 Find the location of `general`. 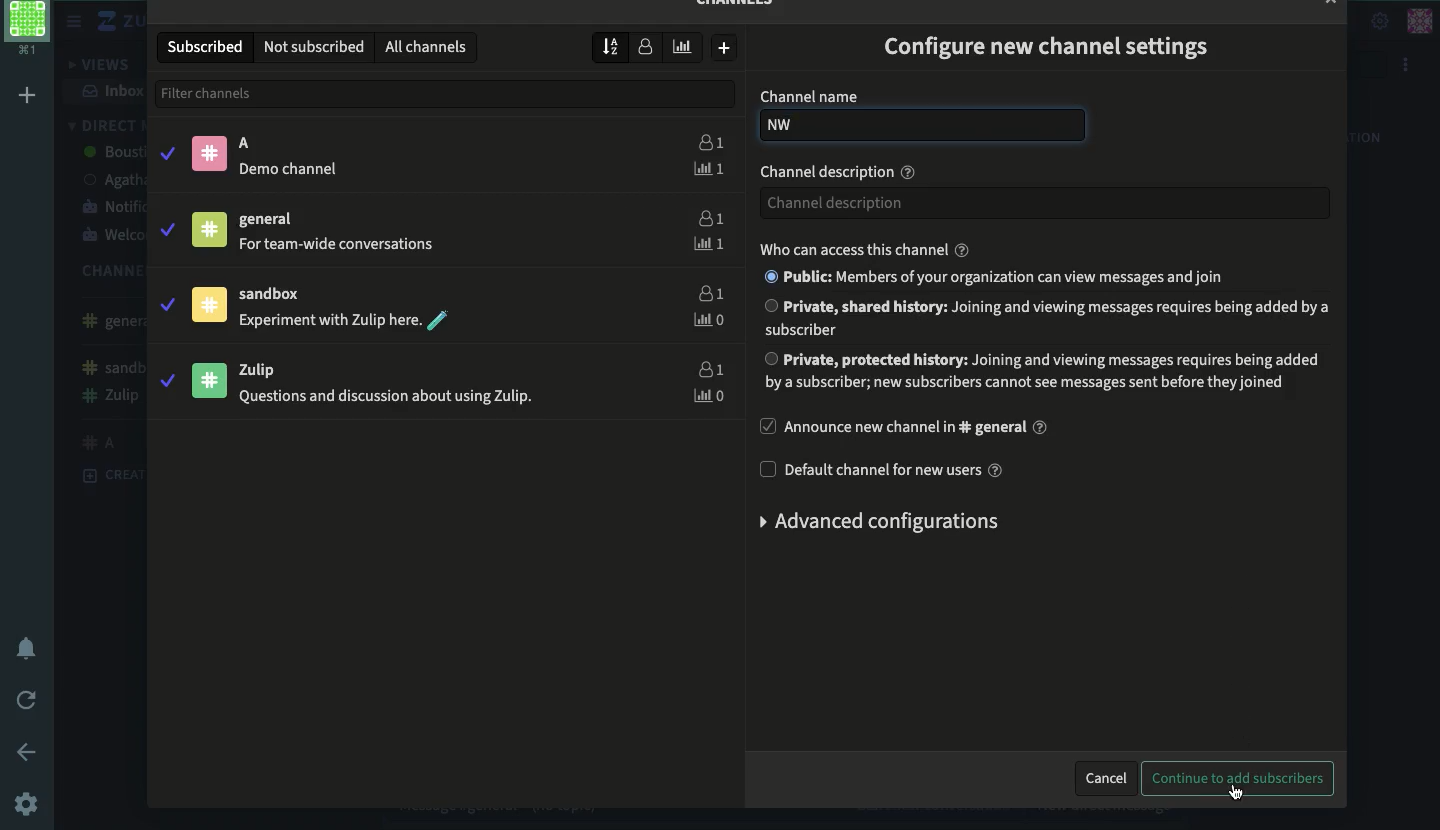

general is located at coordinates (273, 222).